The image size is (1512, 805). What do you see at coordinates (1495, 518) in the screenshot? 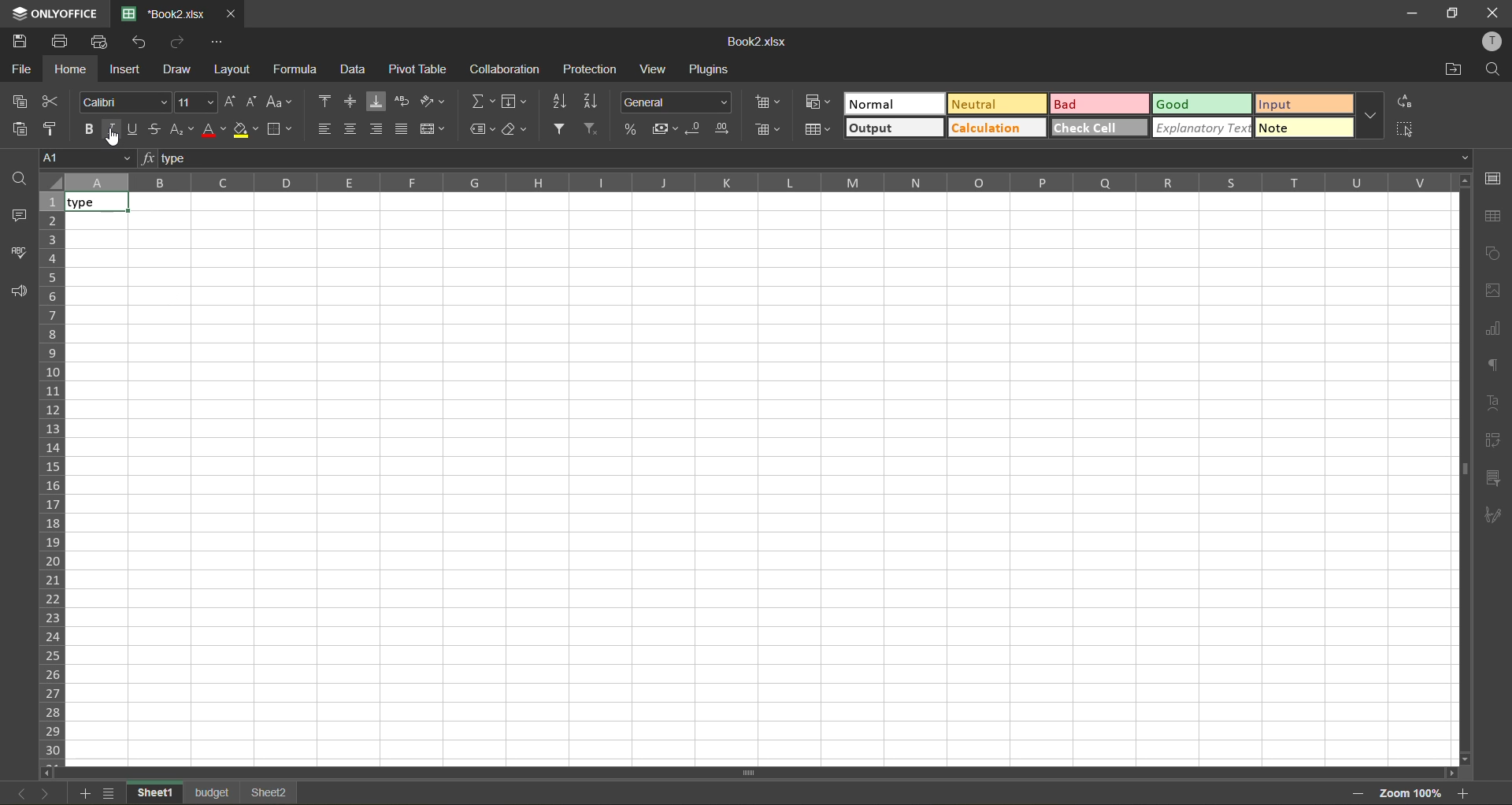
I see `signature` at bounding box center [1495, 518].